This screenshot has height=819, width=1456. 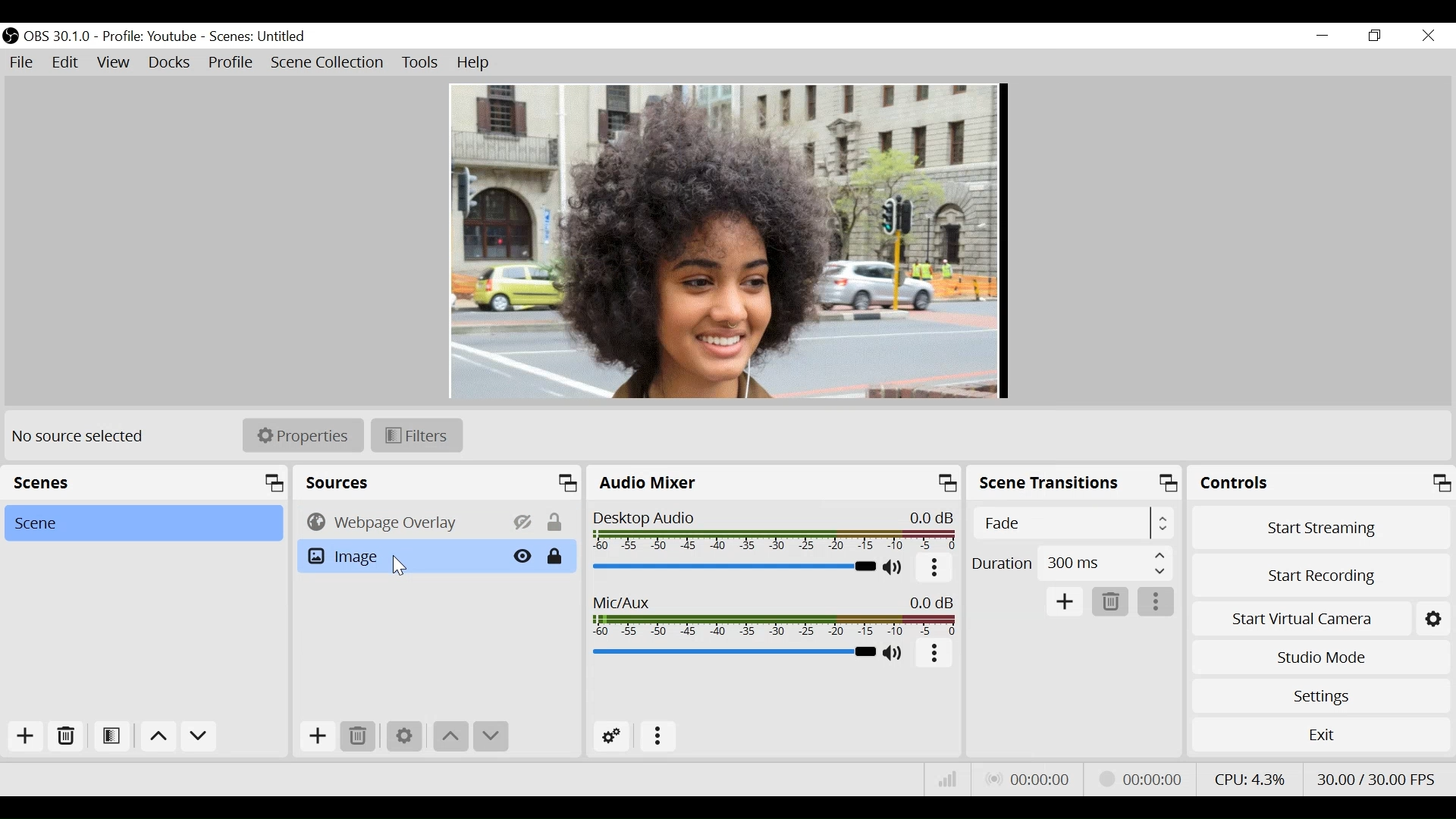 I want to click on Scenes, so click(x=259, y=37).